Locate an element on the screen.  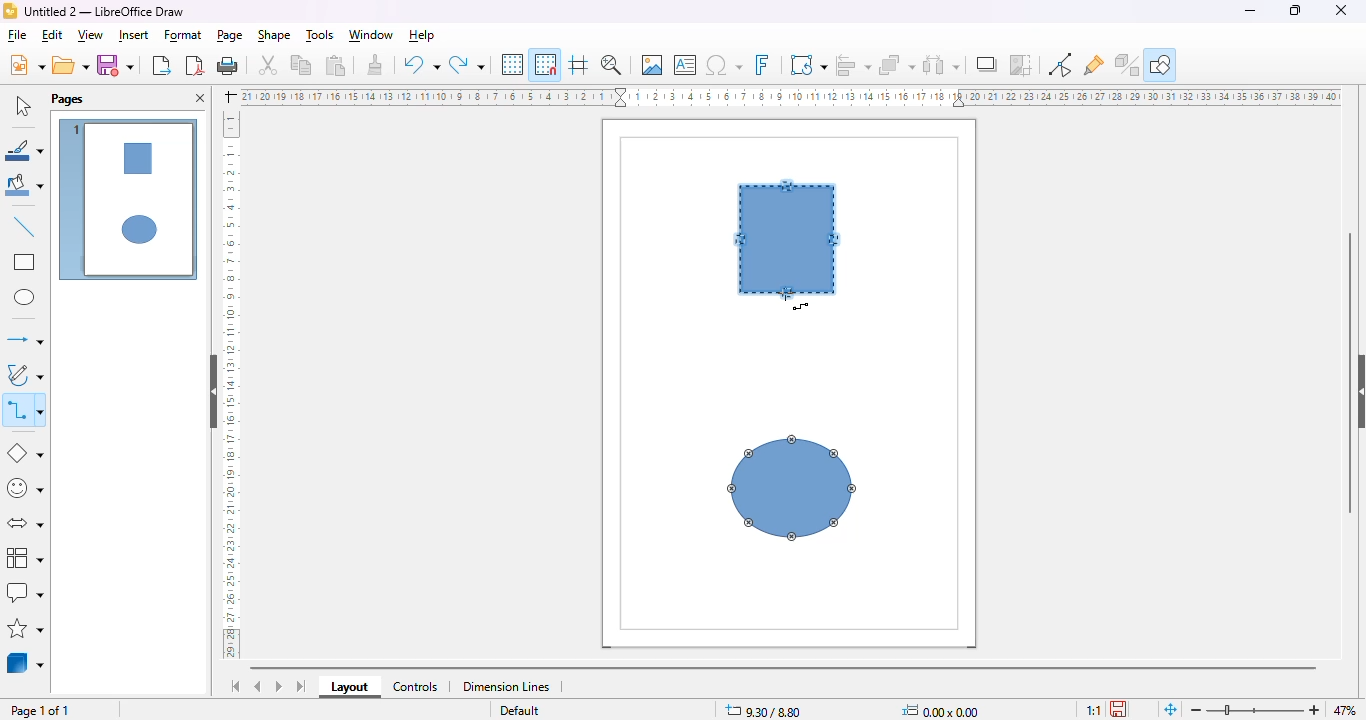
cursor is located at coordinates (791, 297).